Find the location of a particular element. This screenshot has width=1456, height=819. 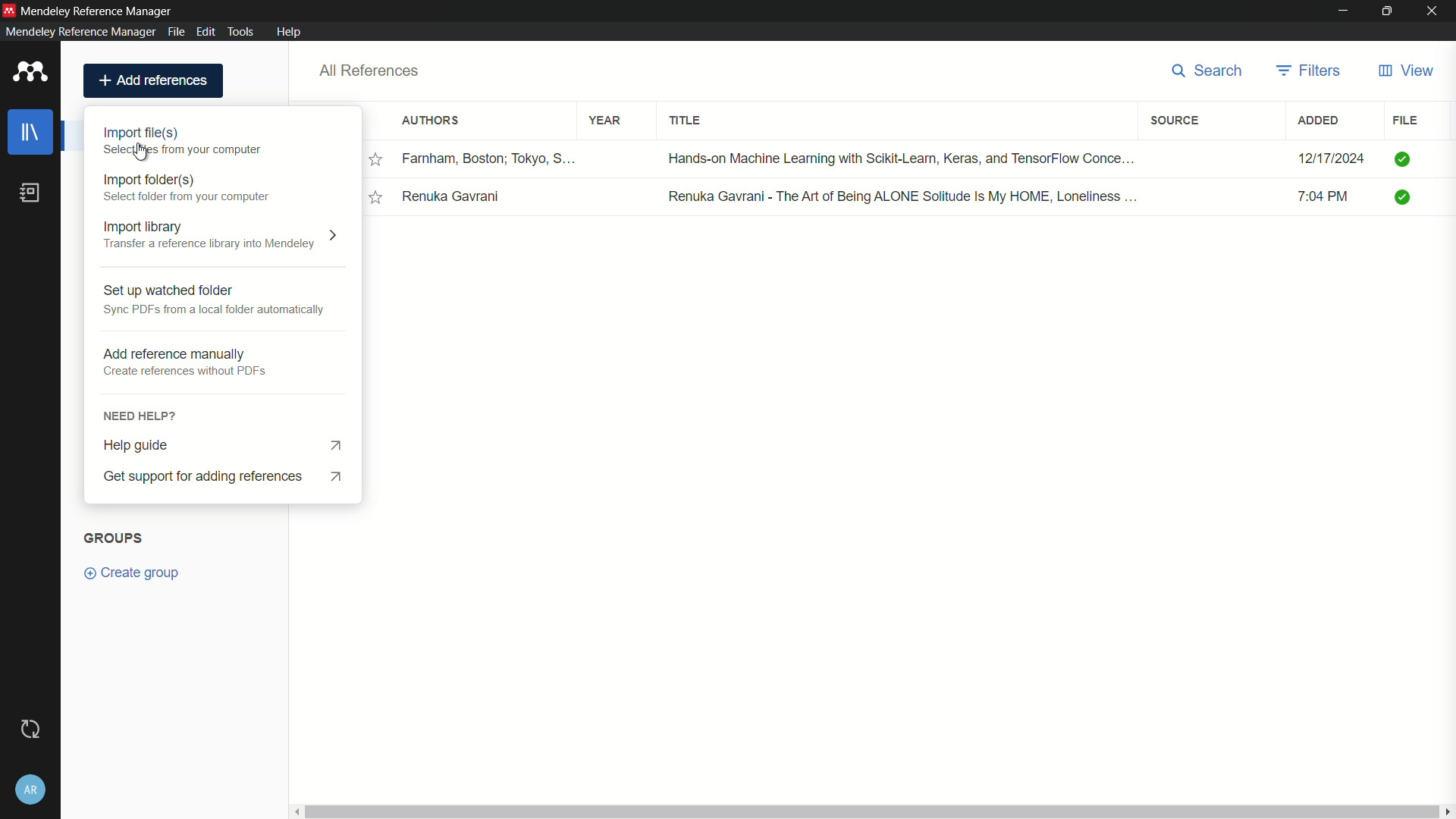

title is located at coordinates (689, 123).